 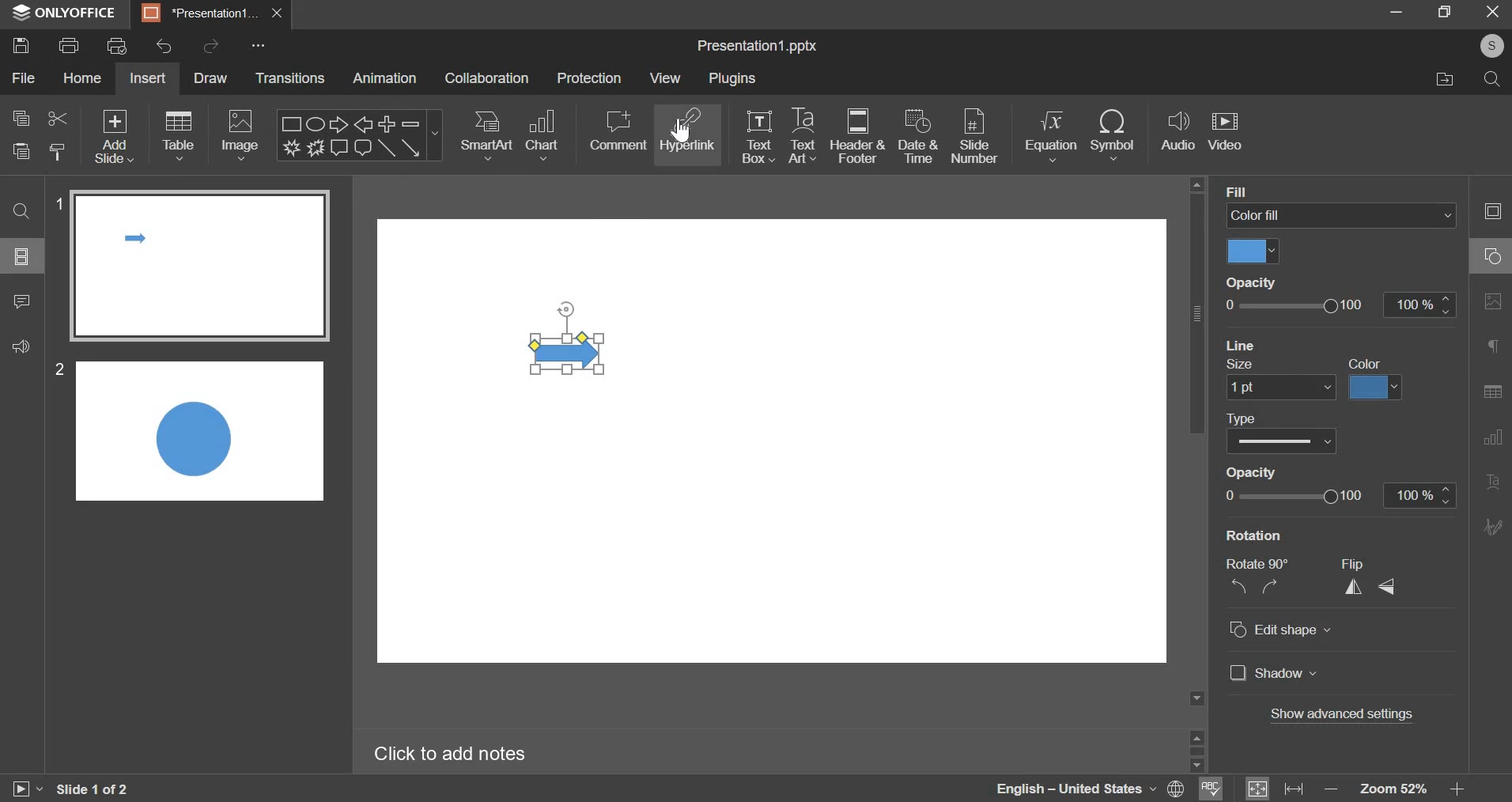 What do you see at coordinates (1052, 136) in the screenshot?
I see `insert equation` at bounding box center [1052, 136].